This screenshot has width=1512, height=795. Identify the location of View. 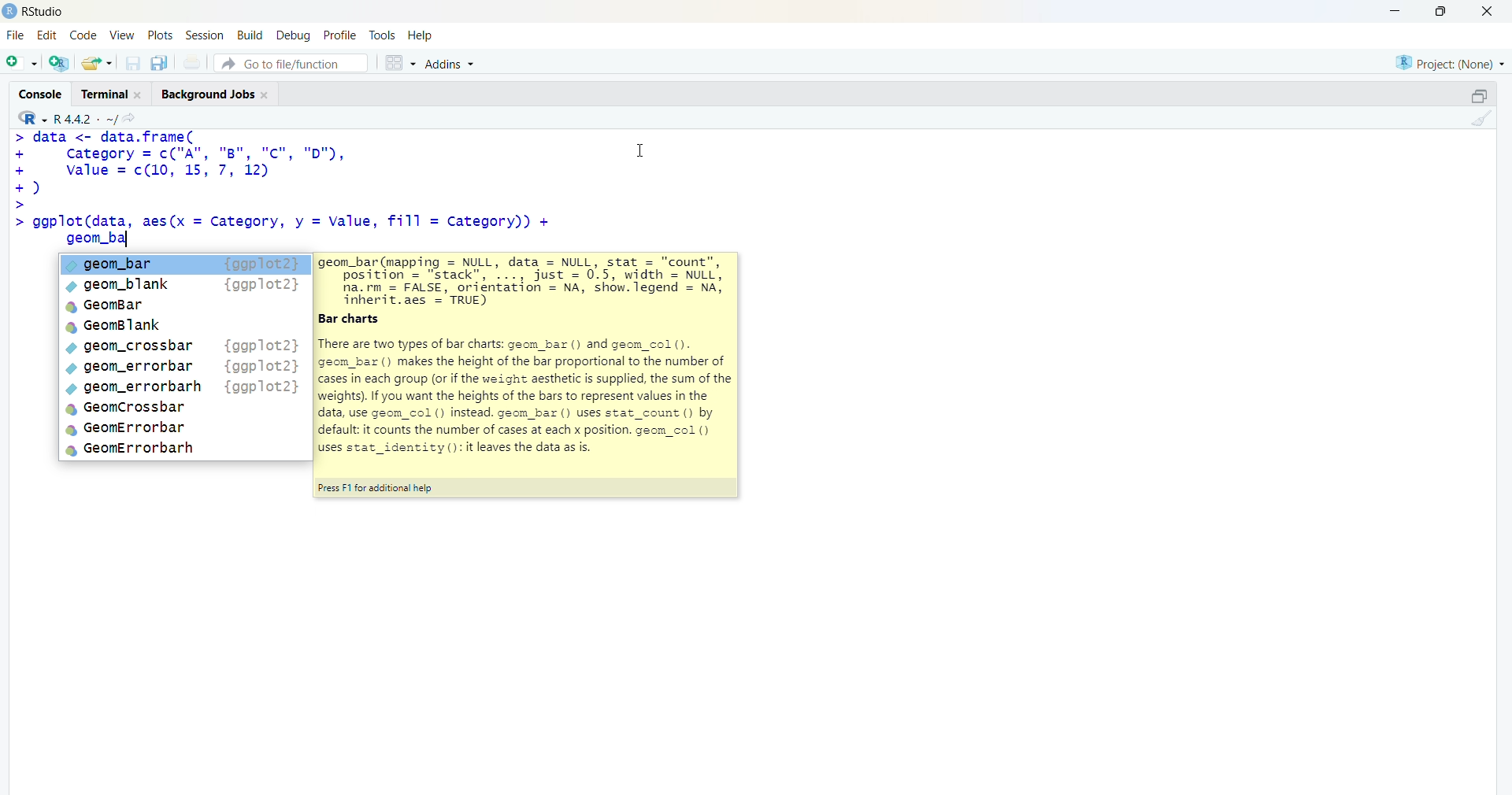
(123, 35).